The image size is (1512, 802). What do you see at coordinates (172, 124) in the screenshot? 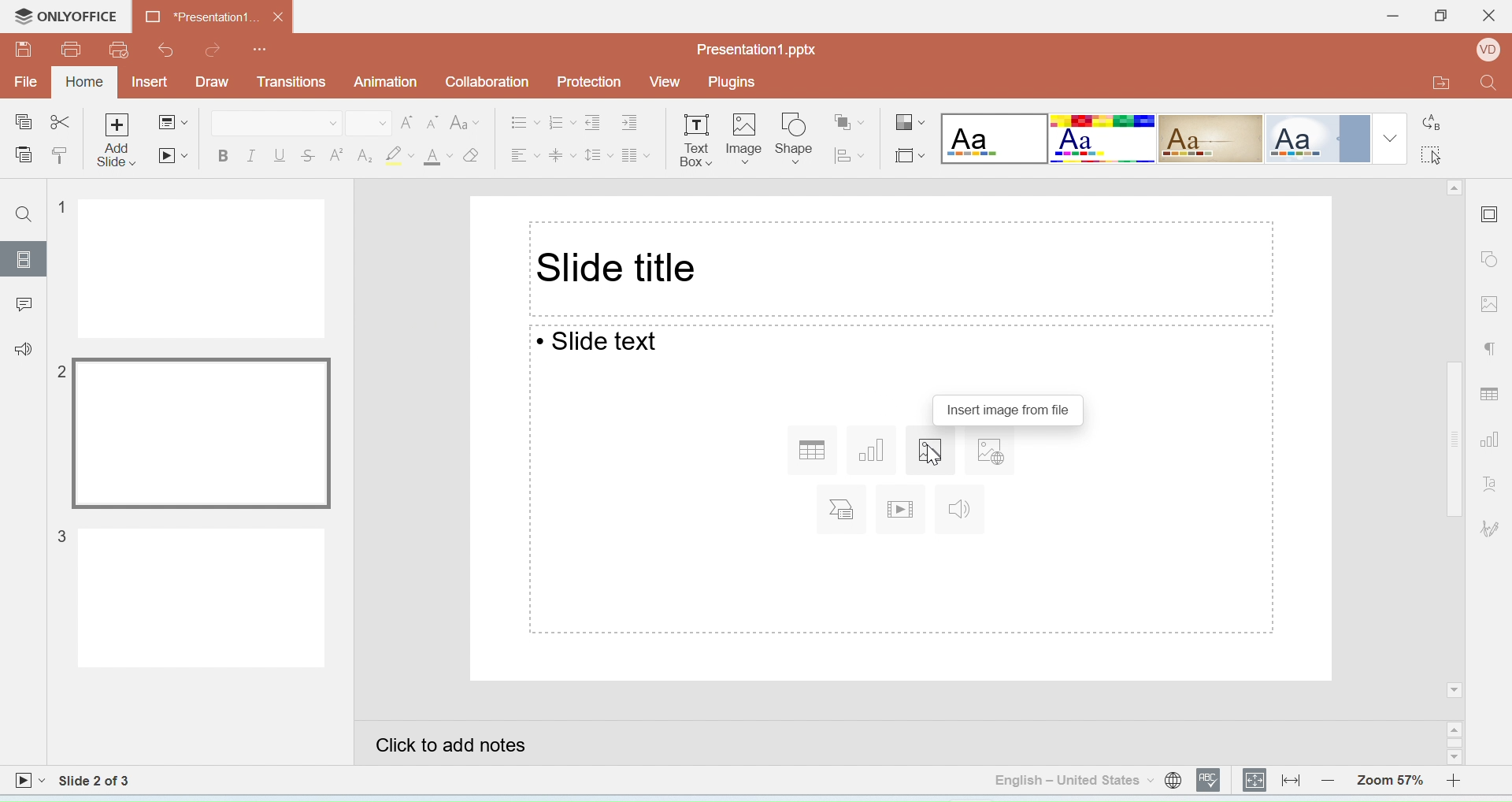
I see `Change slide layout` at bounding box center [172, 124].